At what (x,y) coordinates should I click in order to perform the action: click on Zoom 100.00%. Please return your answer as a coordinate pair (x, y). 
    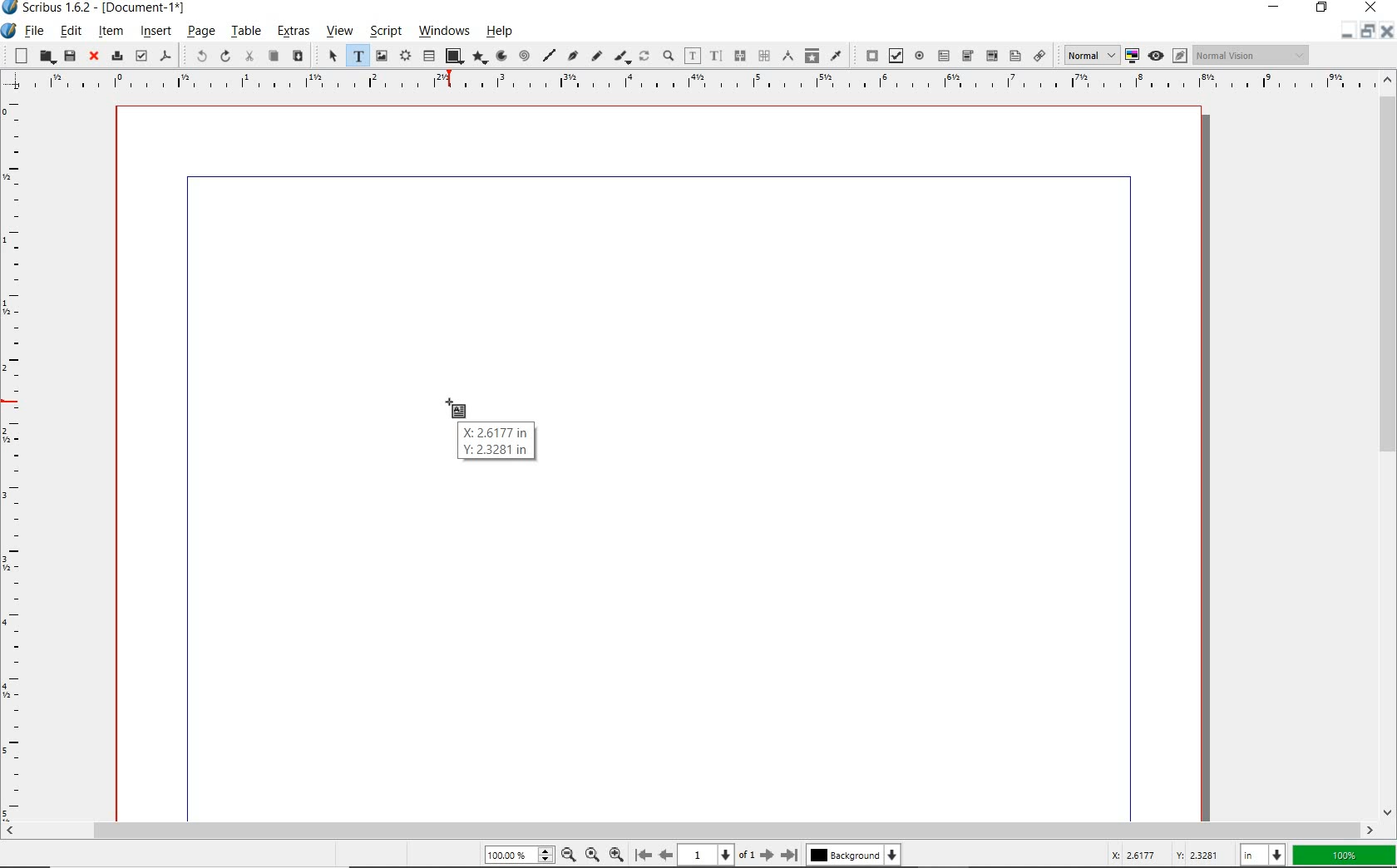
    Looking at the image, I should click on (520, 856).